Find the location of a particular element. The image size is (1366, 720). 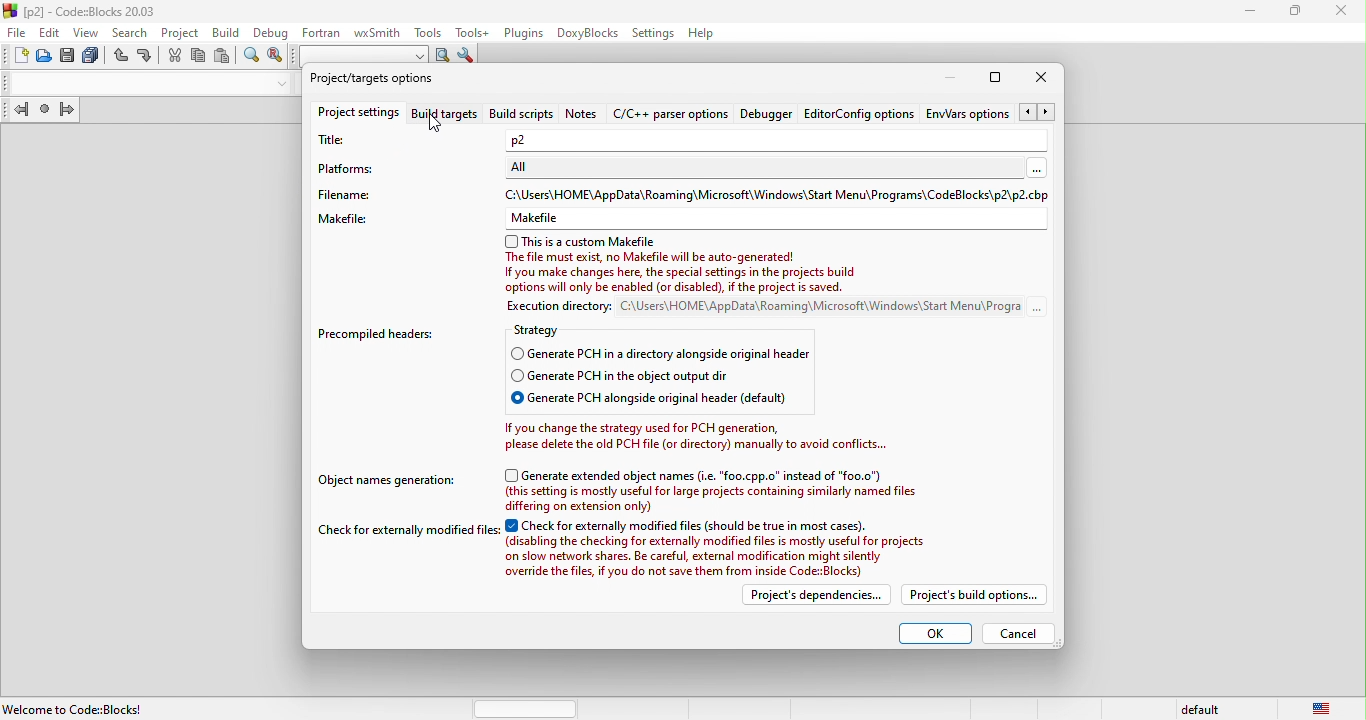

ALL is located at coordinates (694, 166).